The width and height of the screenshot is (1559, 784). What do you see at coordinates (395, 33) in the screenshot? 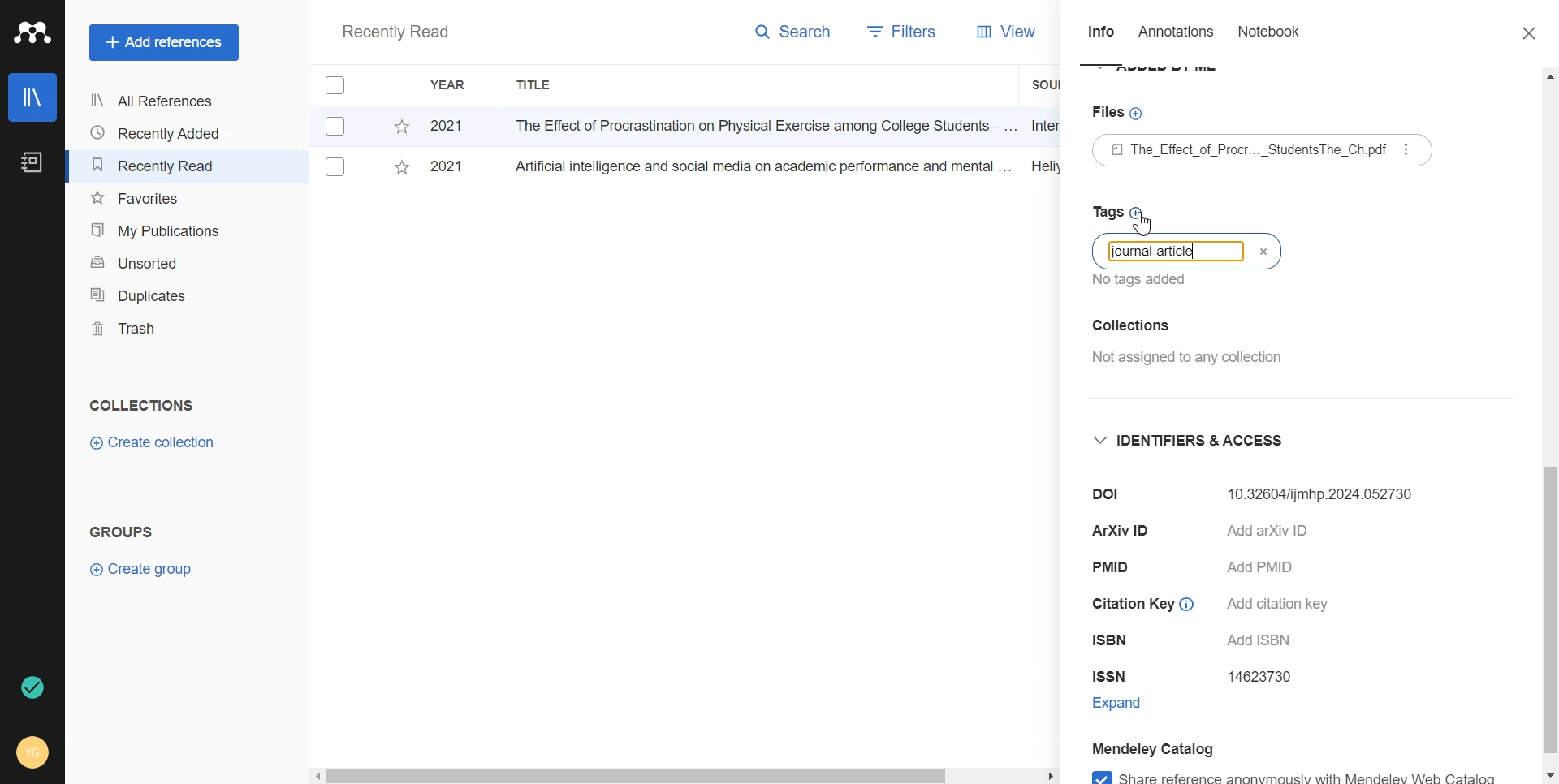
I see `Recently Read` at bounding box center [395, 33].